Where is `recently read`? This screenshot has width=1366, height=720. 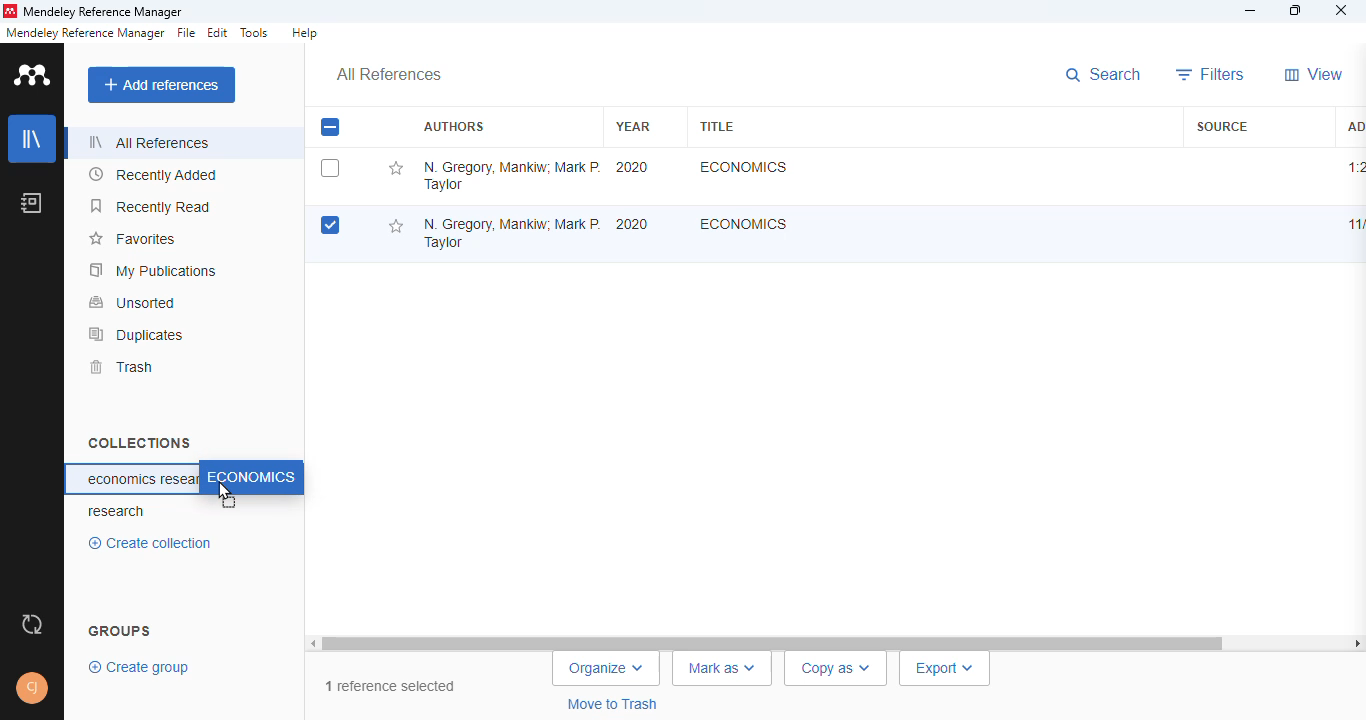
recently read is located at coordinates (152, 206).